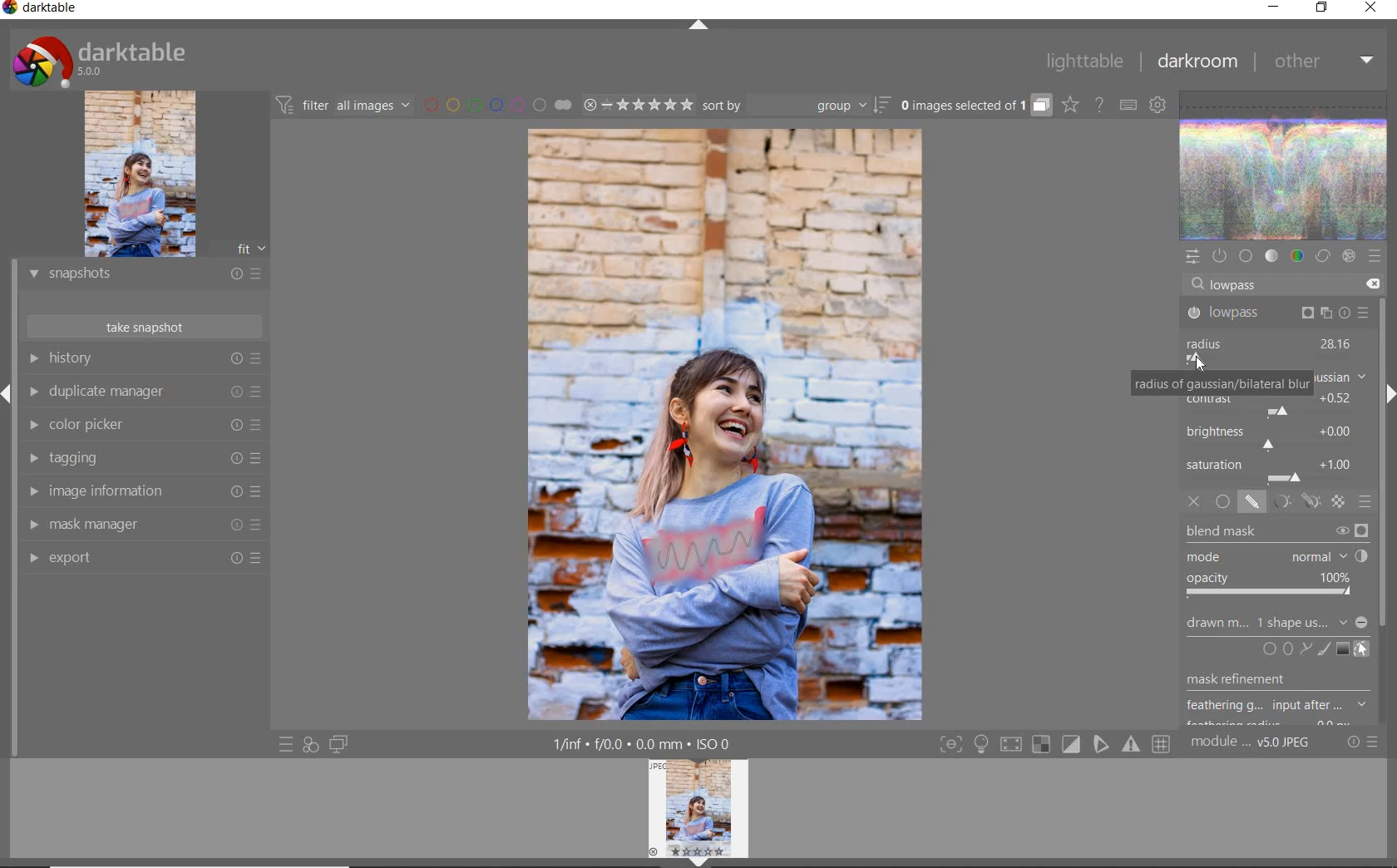 The image size is (1397, 868). What do you see at coordinates (1272, 257) in the screenshot?
I see `tone` at bounding box center [1272, 257].